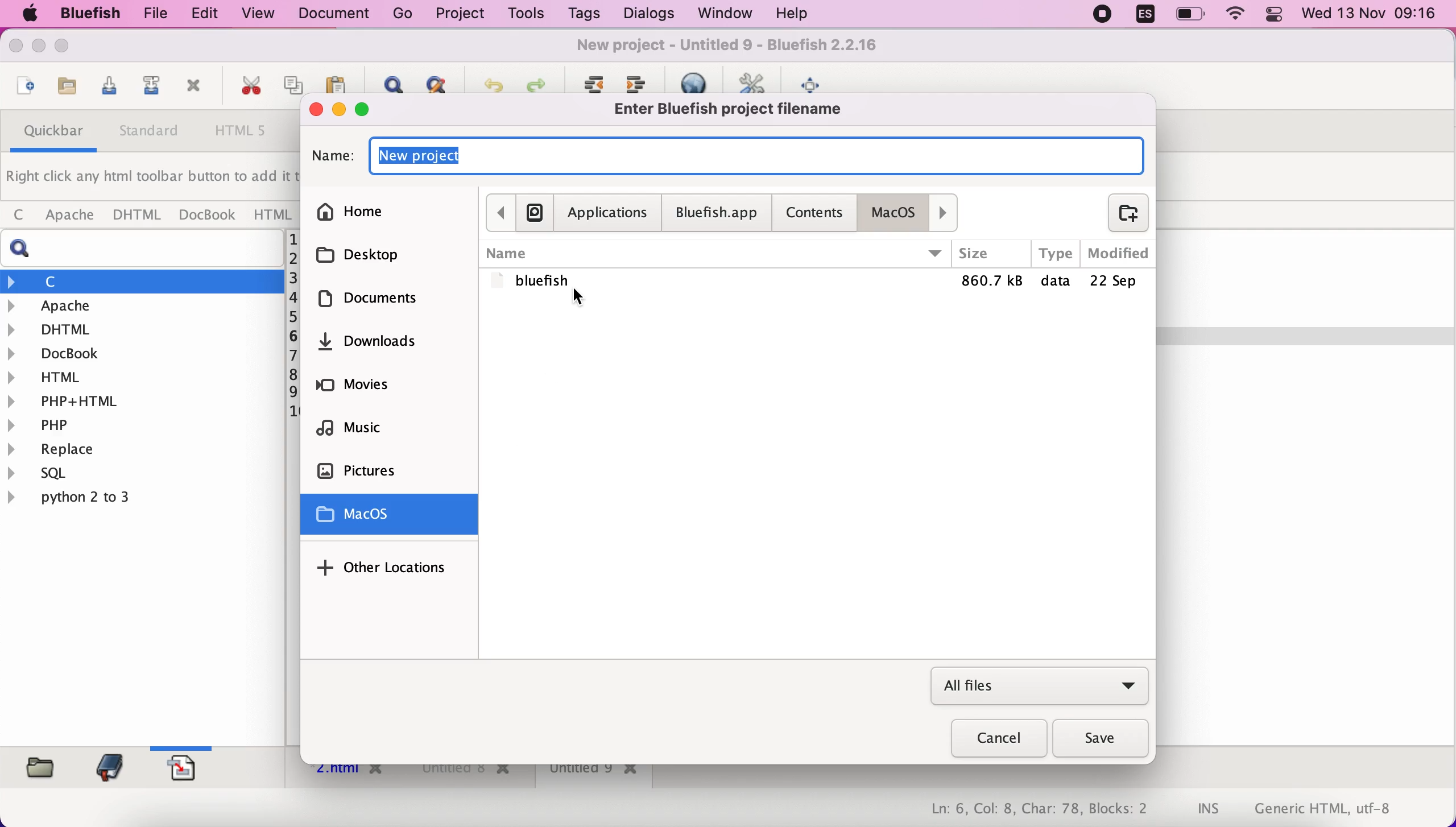 The height and width of the screenshot is (827, 1456). I want to click on bookmarks, so click(106, 767).